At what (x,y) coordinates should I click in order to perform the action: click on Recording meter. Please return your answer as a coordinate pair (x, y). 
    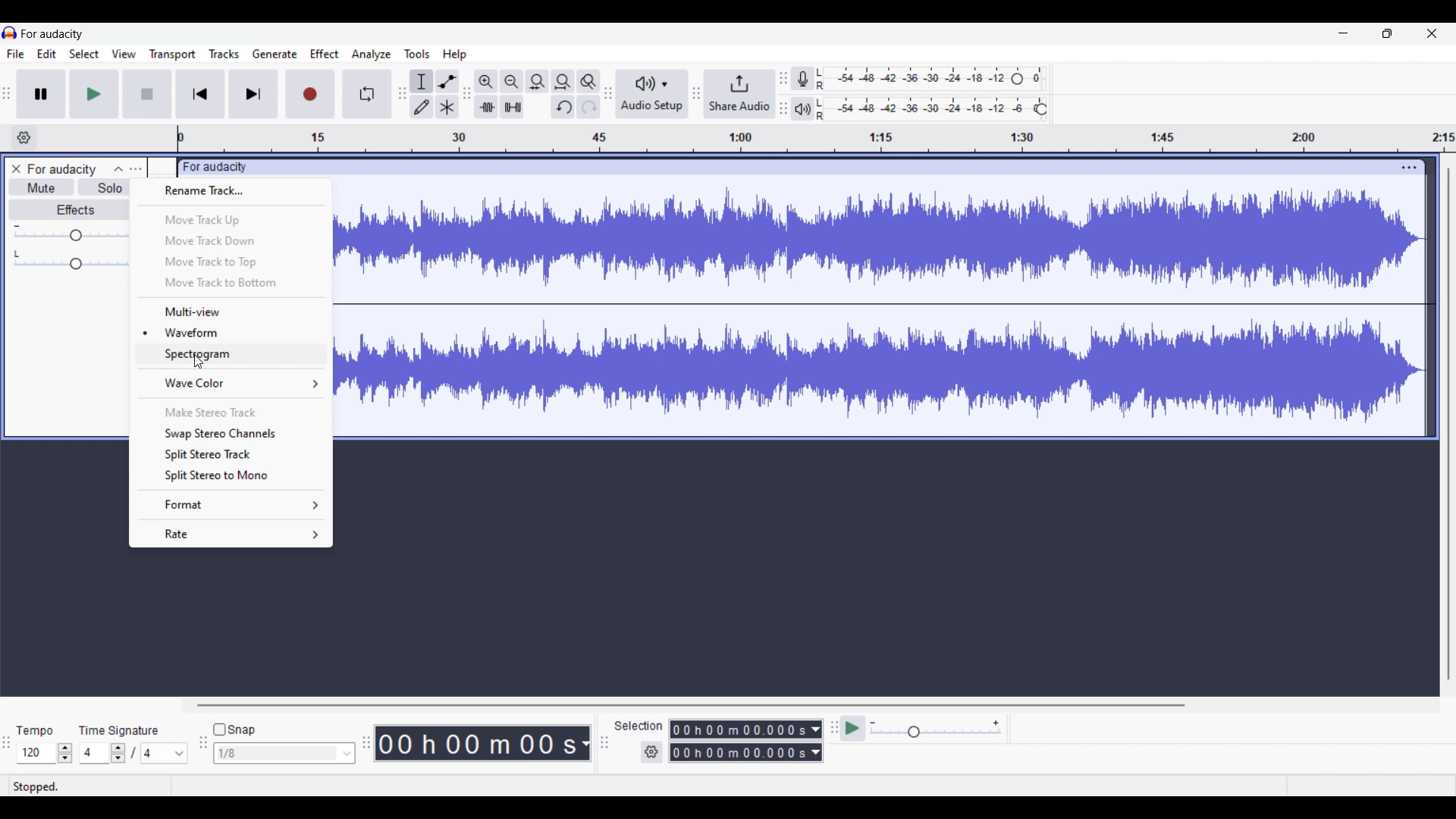
    Looking at the image, I should click on (802, 78).